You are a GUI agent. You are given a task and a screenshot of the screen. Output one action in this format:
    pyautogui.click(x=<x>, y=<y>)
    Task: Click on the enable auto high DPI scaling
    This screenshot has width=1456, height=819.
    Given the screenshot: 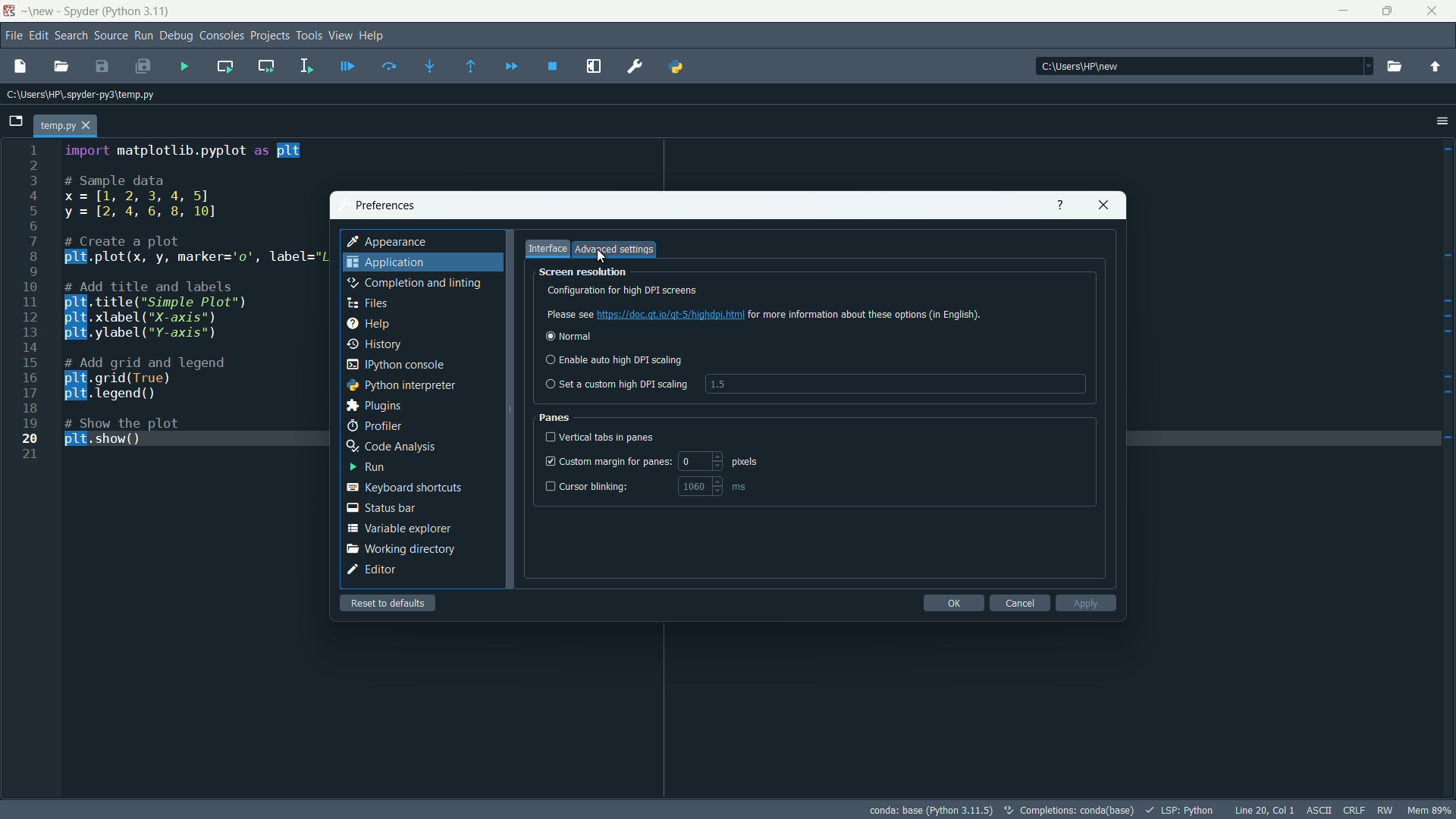 What is the action you would take?
    pyautogui.click(x=613, y=360)
    